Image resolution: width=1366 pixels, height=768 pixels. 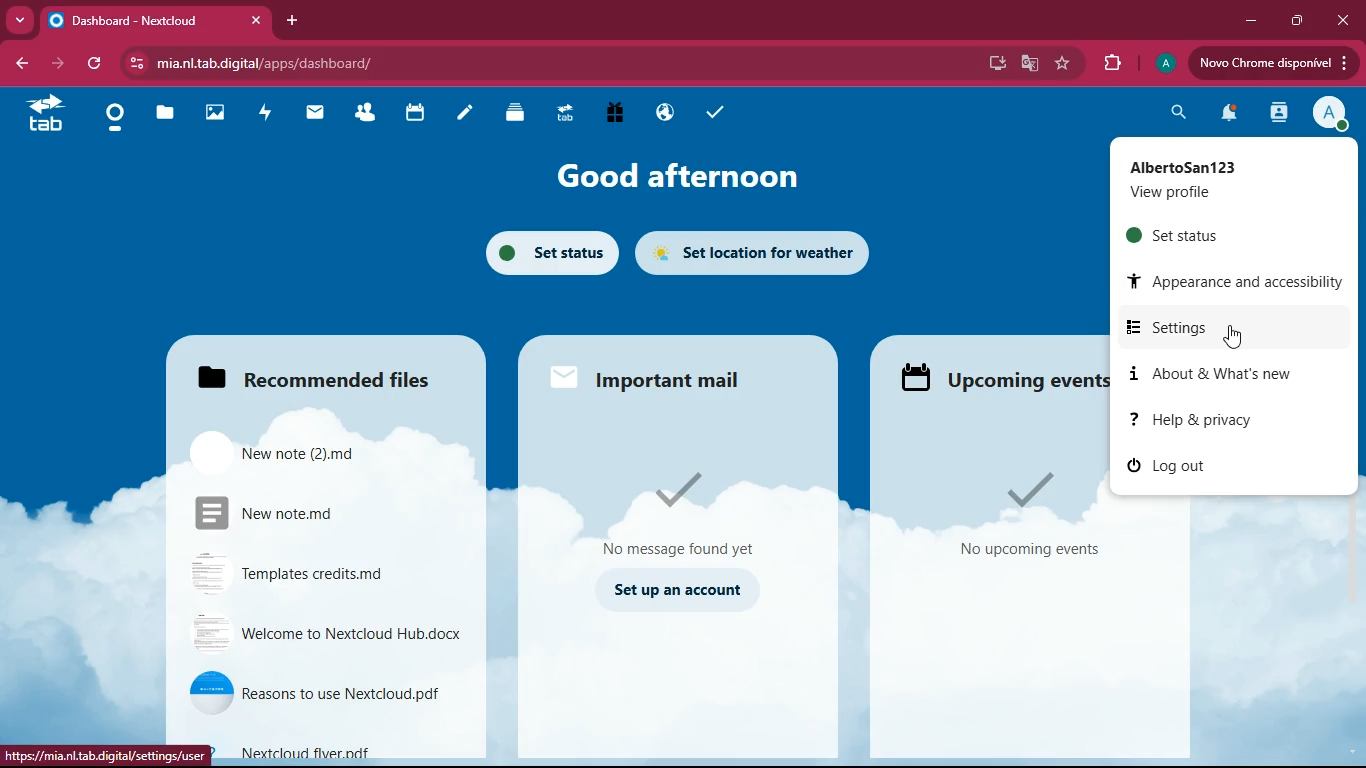 What do you see at coordinates (327, 694) in the screenshot?
I see `file` at bounding box center [327, 694].